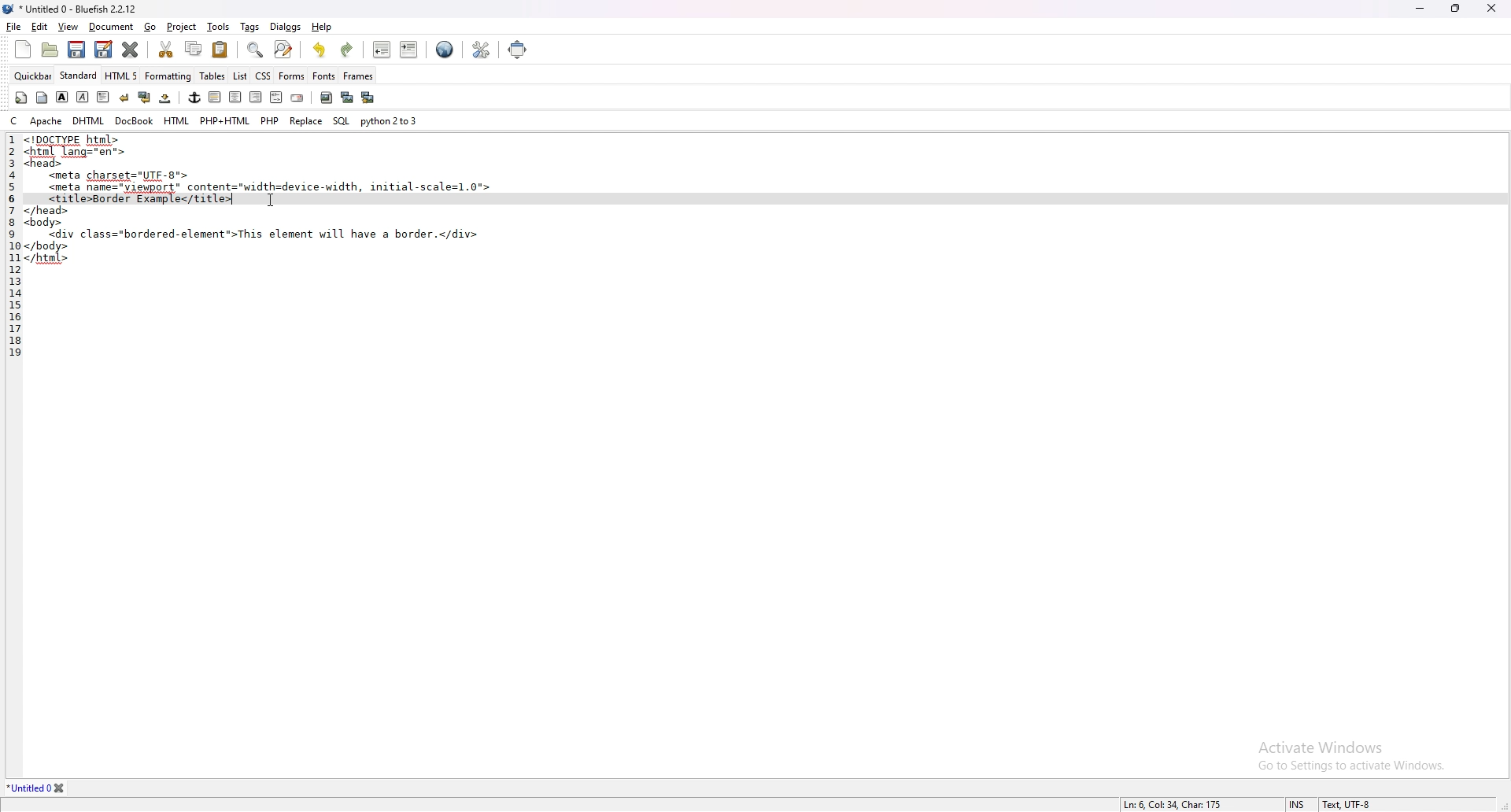  What do you see at coordinates (320, 50) in the screenshot?
I see `undo` at bounding box center [320, 50].